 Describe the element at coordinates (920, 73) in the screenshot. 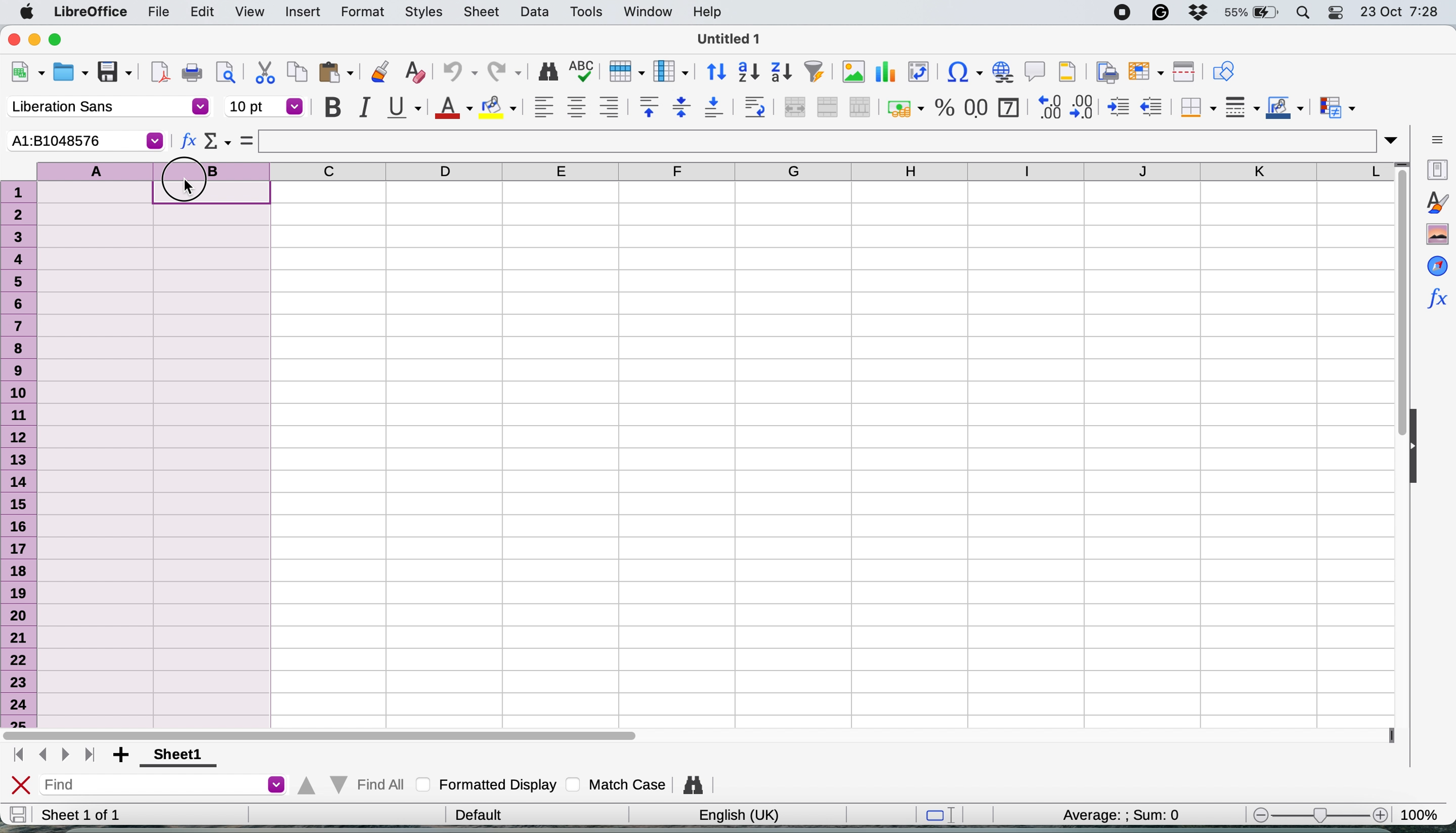

I see `insert or edit pivot table` at that location.